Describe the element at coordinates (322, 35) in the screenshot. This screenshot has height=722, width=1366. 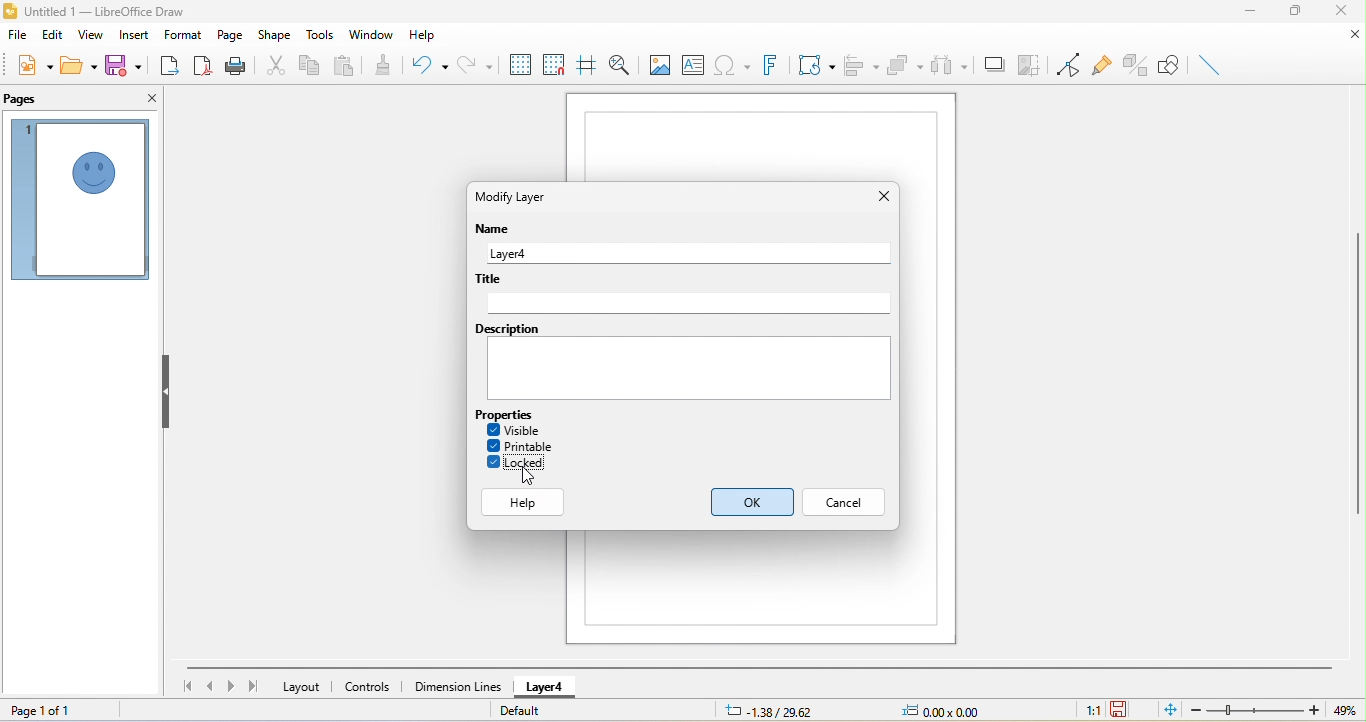
I see `tools` at that location.